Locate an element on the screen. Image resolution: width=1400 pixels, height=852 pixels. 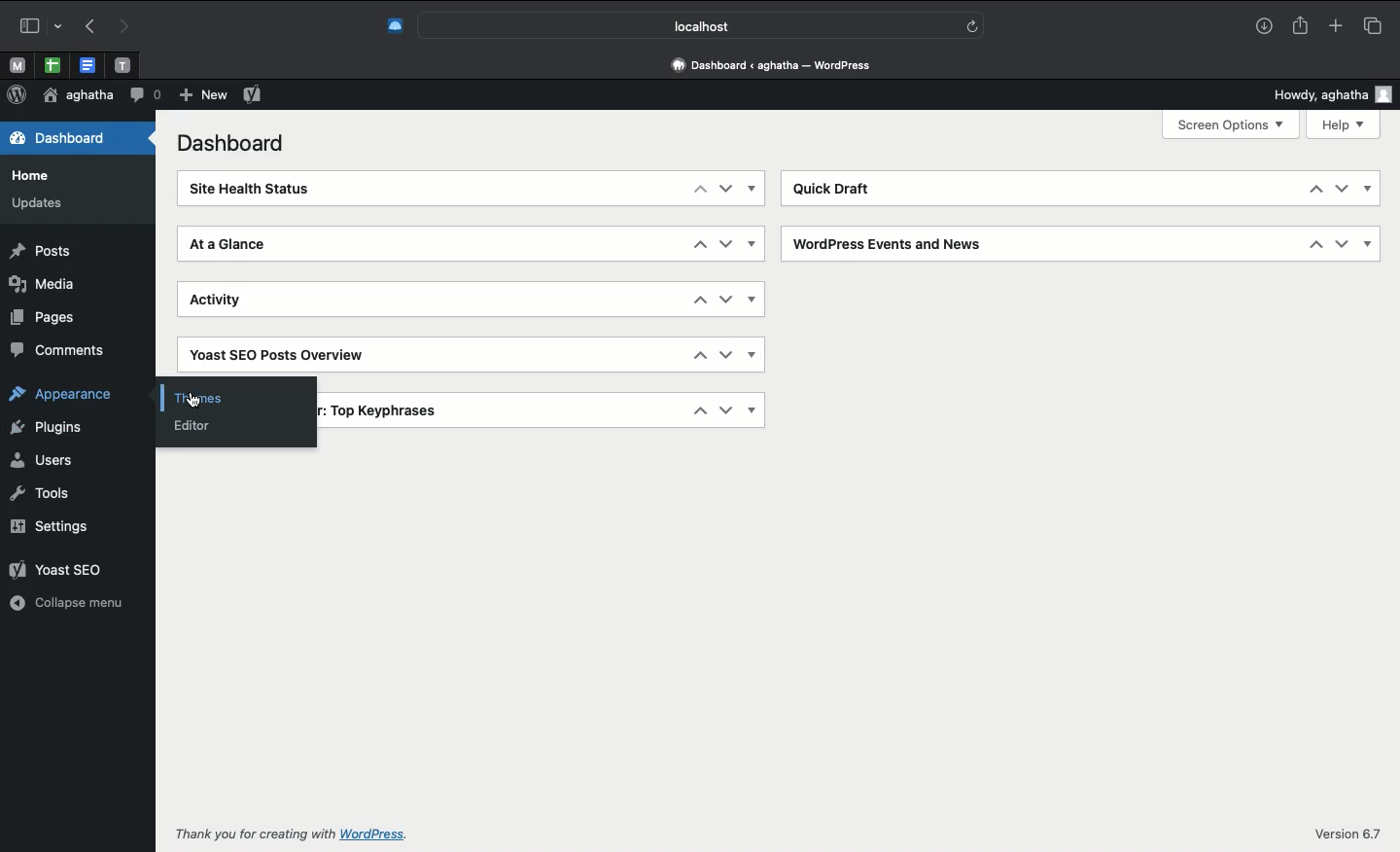
Show is located at coordinates (1369, 245).